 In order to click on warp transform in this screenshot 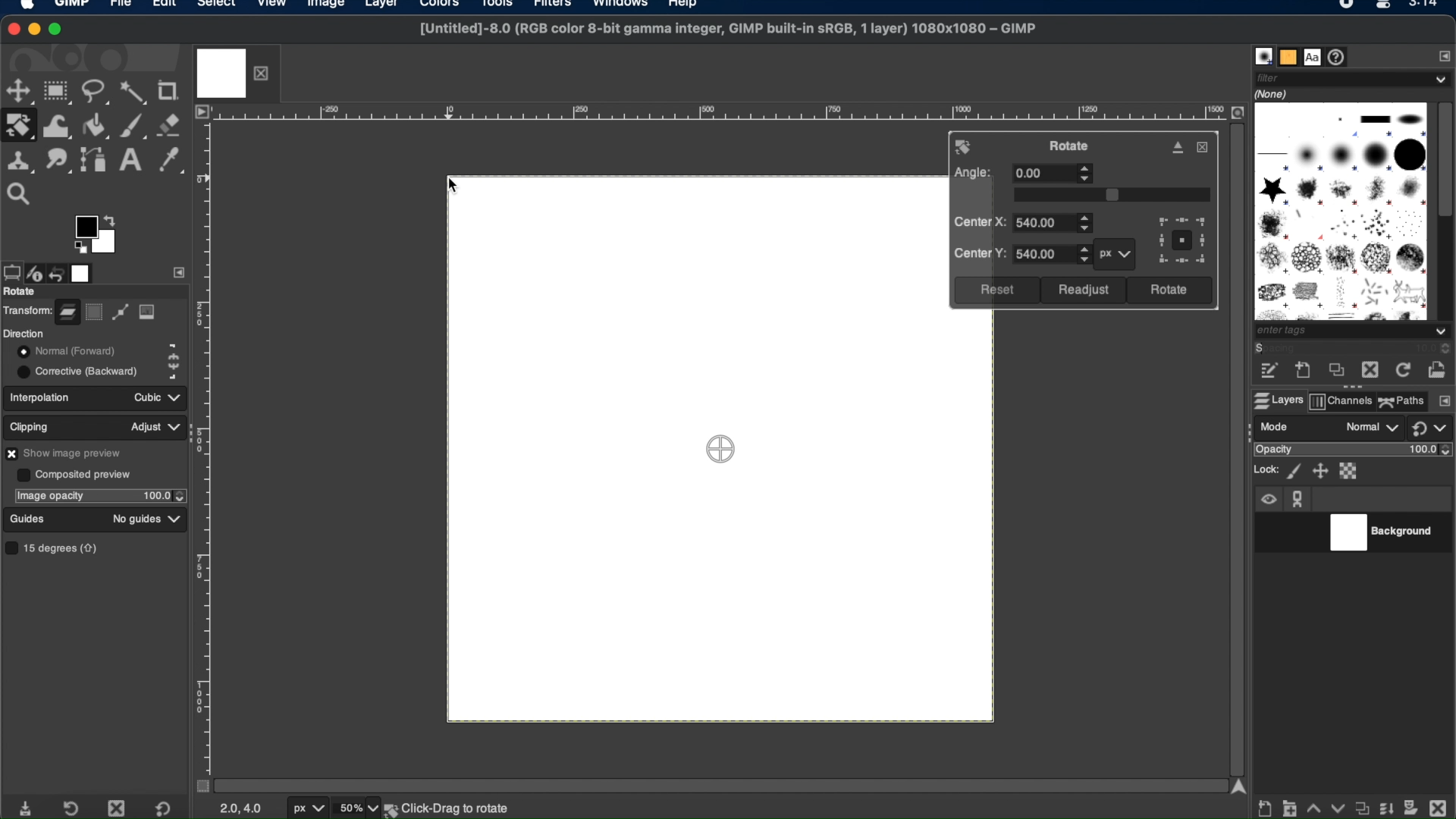, I will do `click(56, 124)`.